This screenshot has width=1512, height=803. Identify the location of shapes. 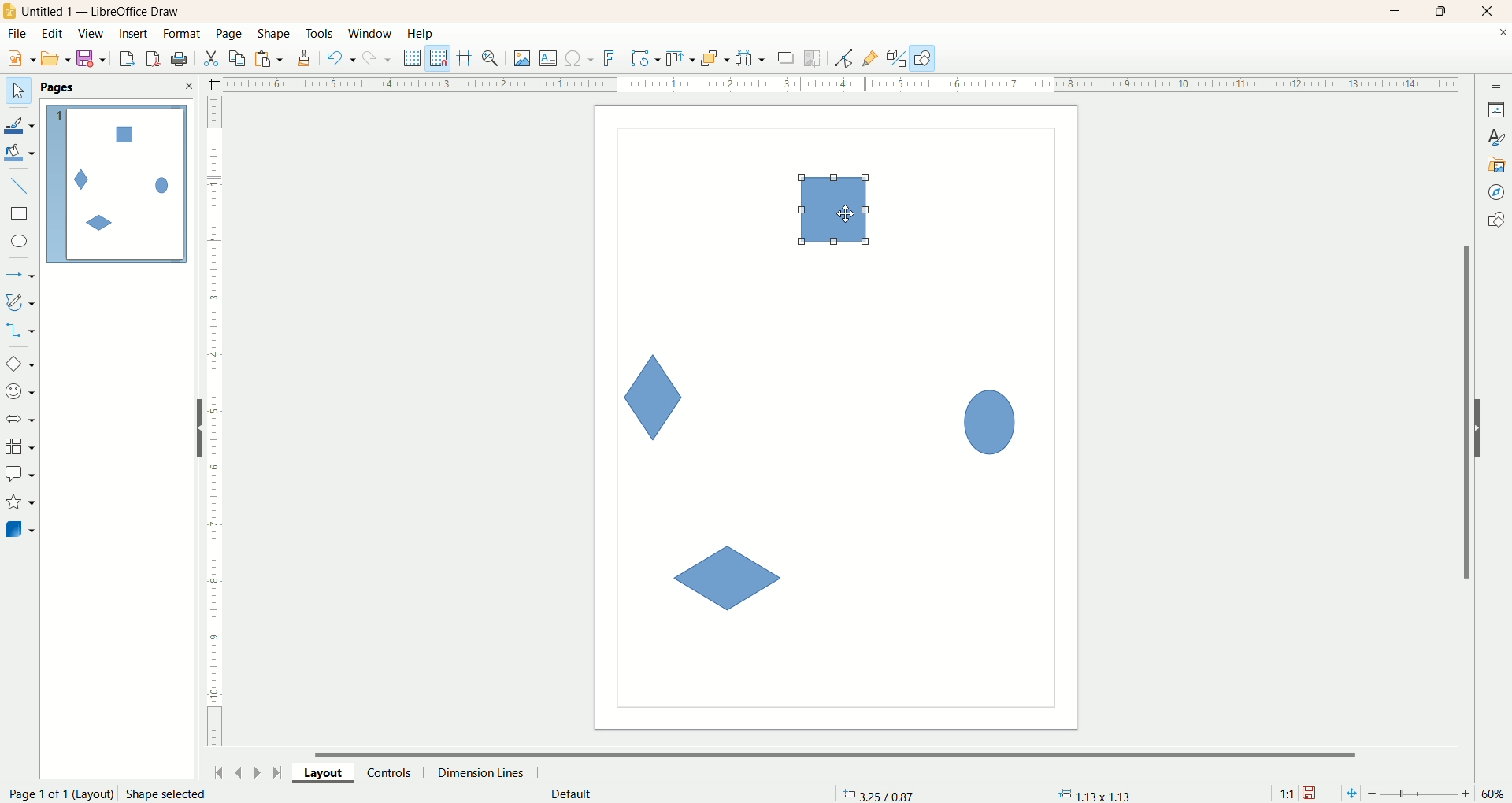
(1495, 222).